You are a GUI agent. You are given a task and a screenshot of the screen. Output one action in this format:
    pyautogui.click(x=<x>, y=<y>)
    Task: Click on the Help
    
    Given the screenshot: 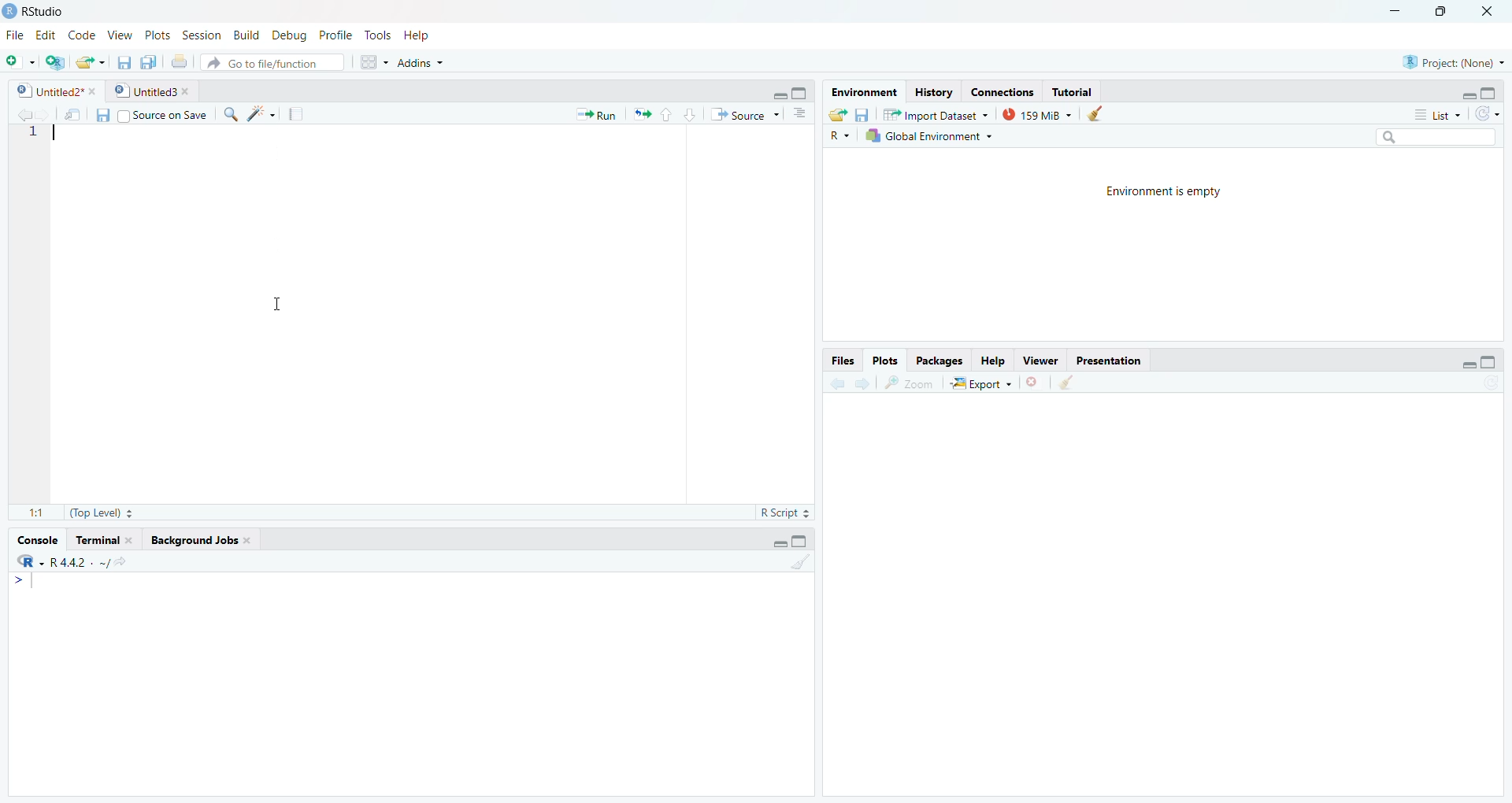 What is the action you would take?
    pyautogui.click(x=419, y=35)
    